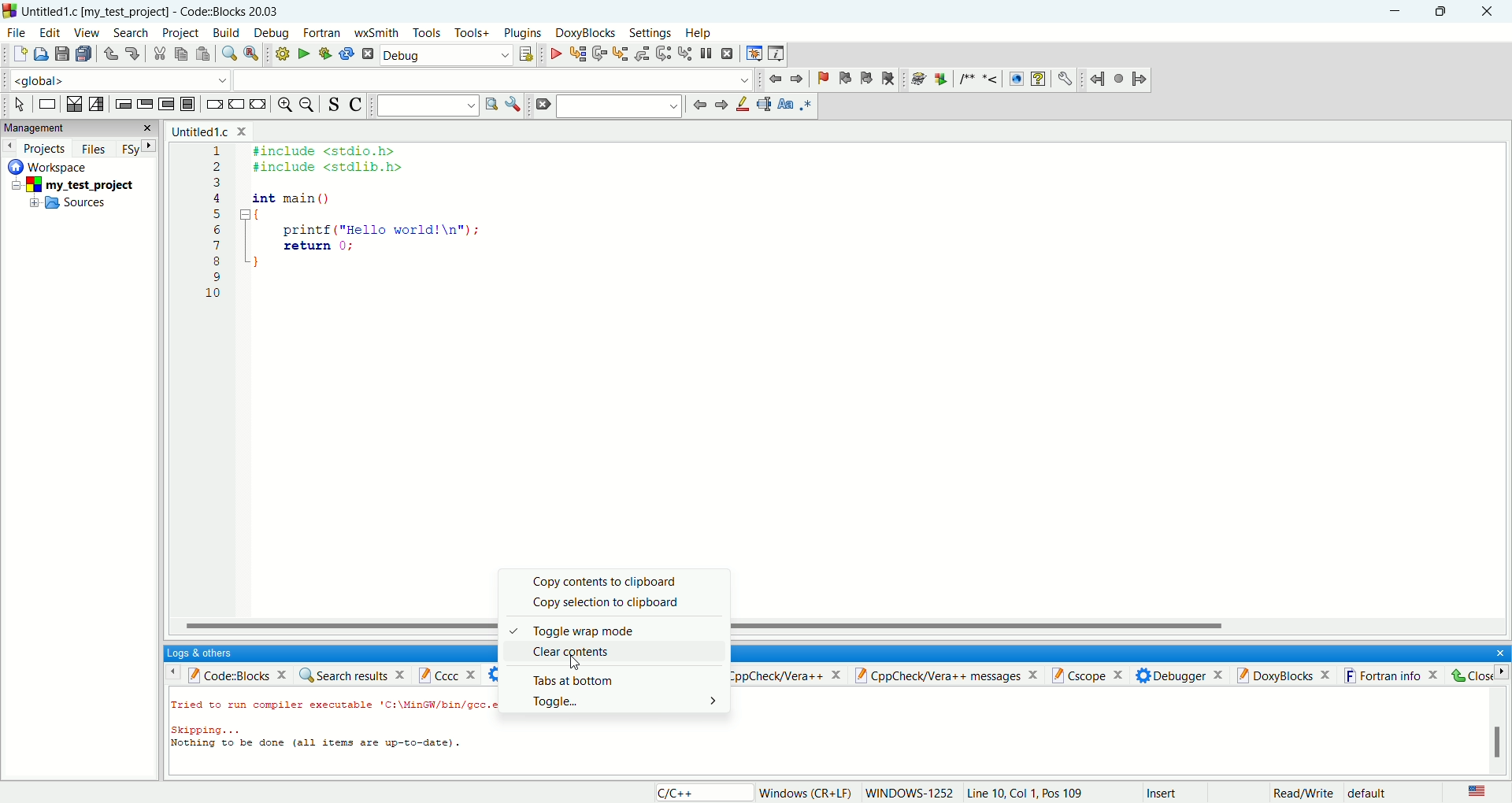 The image size is (1512, 803). Describe the element at coordinates (115, 79) in the screenshot. I see `global` at that location.